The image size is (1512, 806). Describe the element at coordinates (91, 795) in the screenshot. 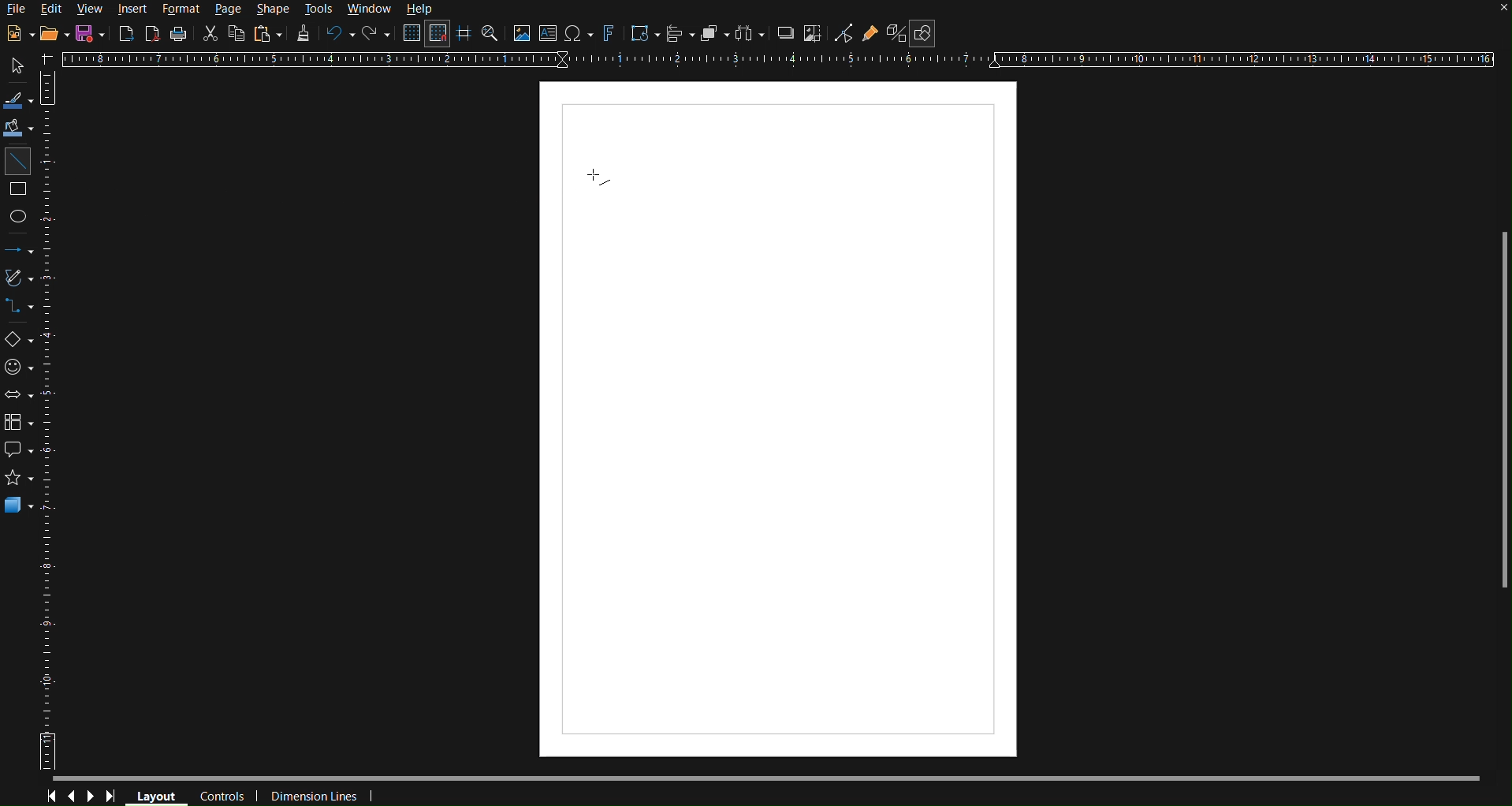

I see `Next` at that location.